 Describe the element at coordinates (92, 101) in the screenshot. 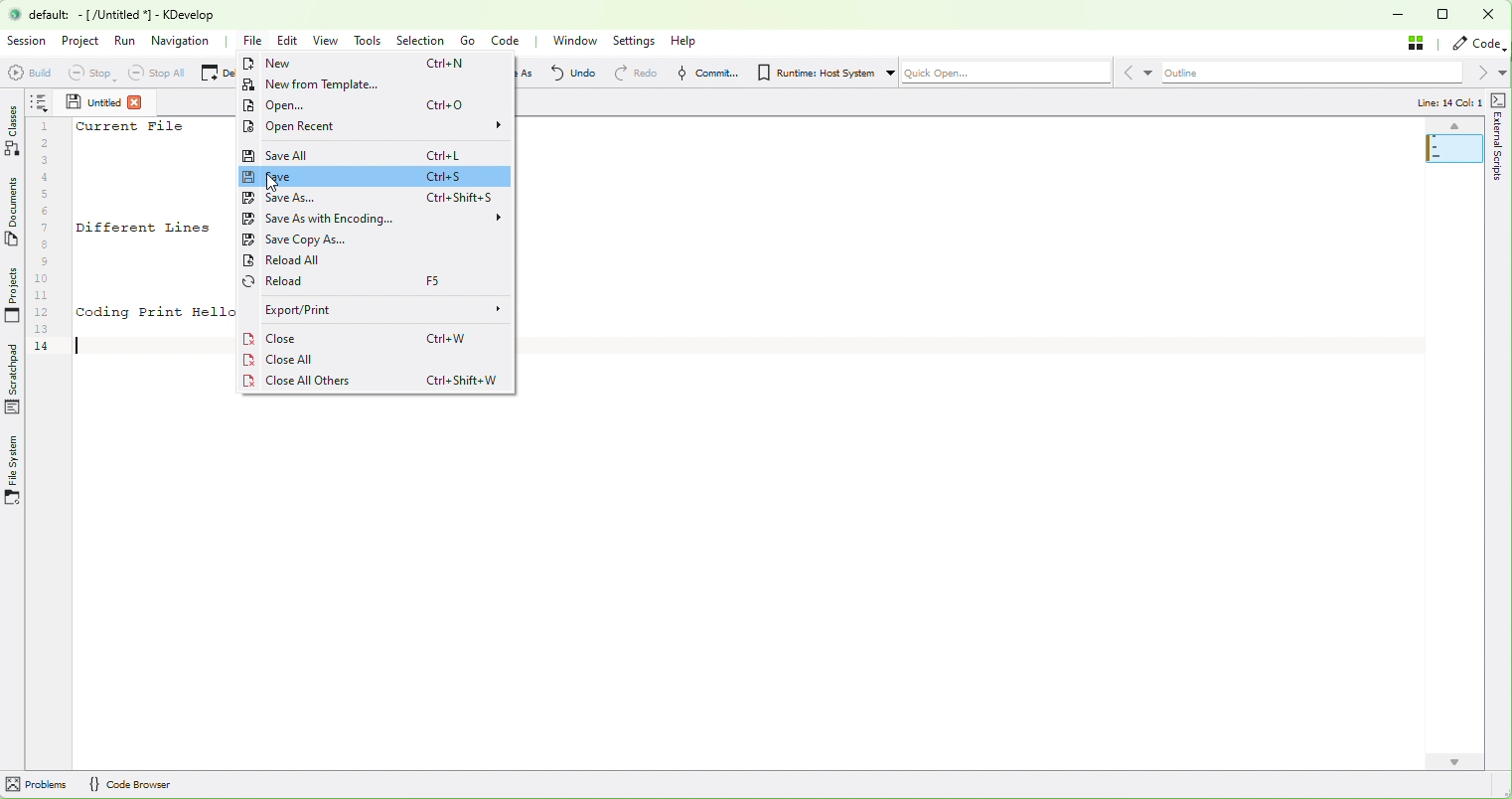

I see `Untitled` at that location.